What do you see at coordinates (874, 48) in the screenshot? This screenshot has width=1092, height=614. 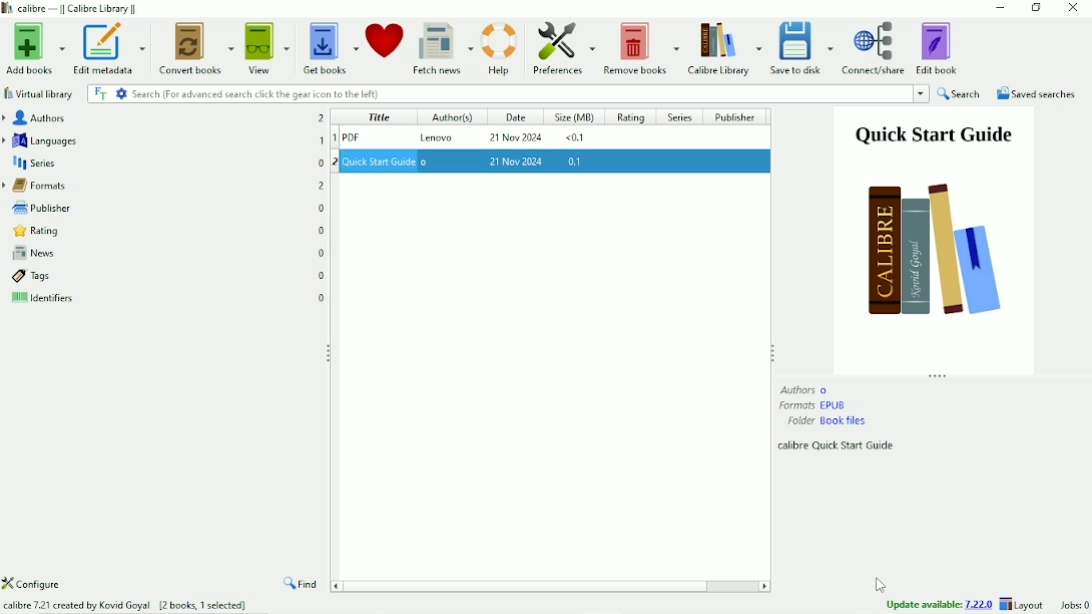 I see `Connect/share` at bounding box center [874, 48].